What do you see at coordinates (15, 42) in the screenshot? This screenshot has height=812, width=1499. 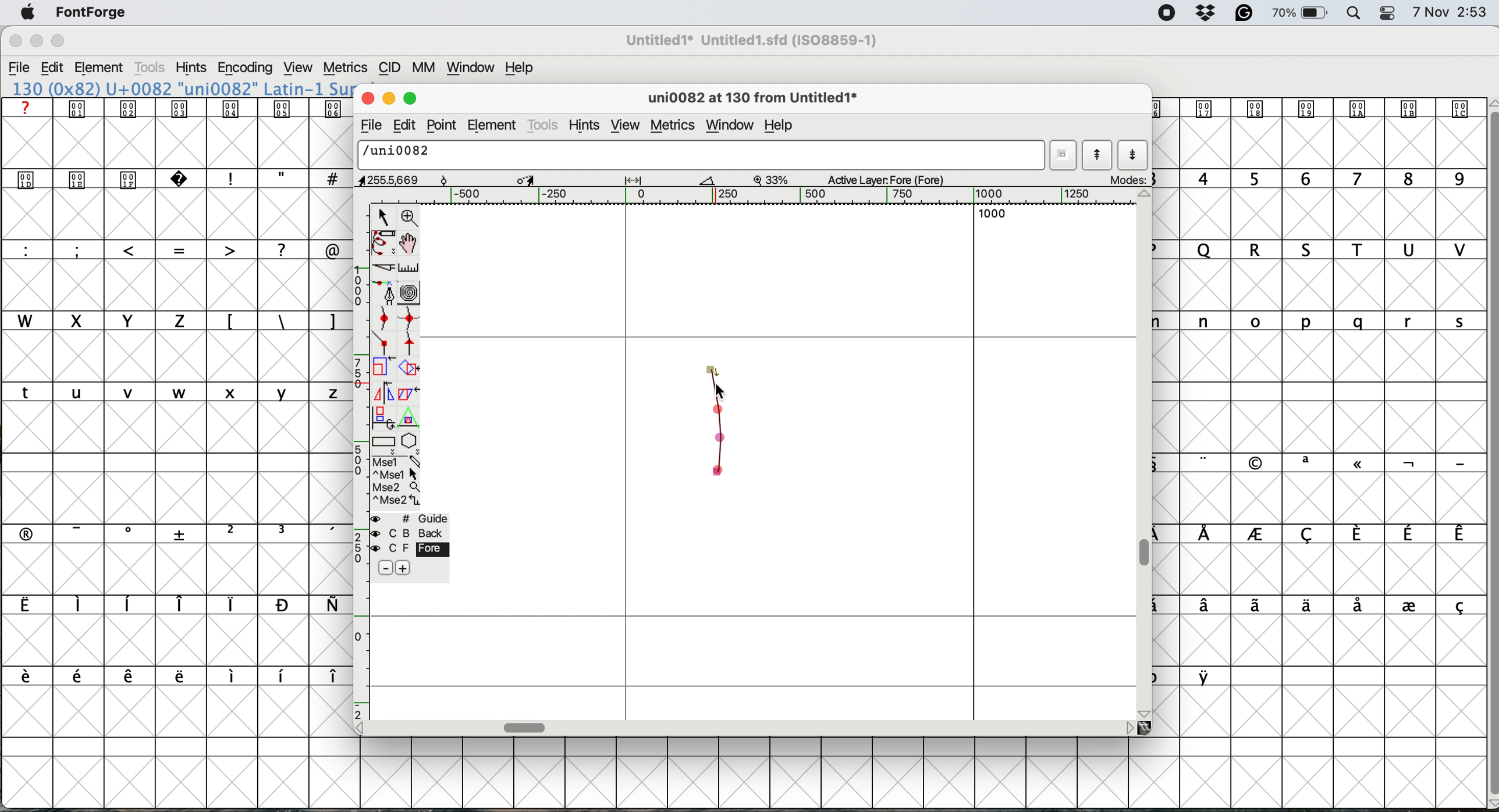 I see `close` at bounding box center [15, 42].